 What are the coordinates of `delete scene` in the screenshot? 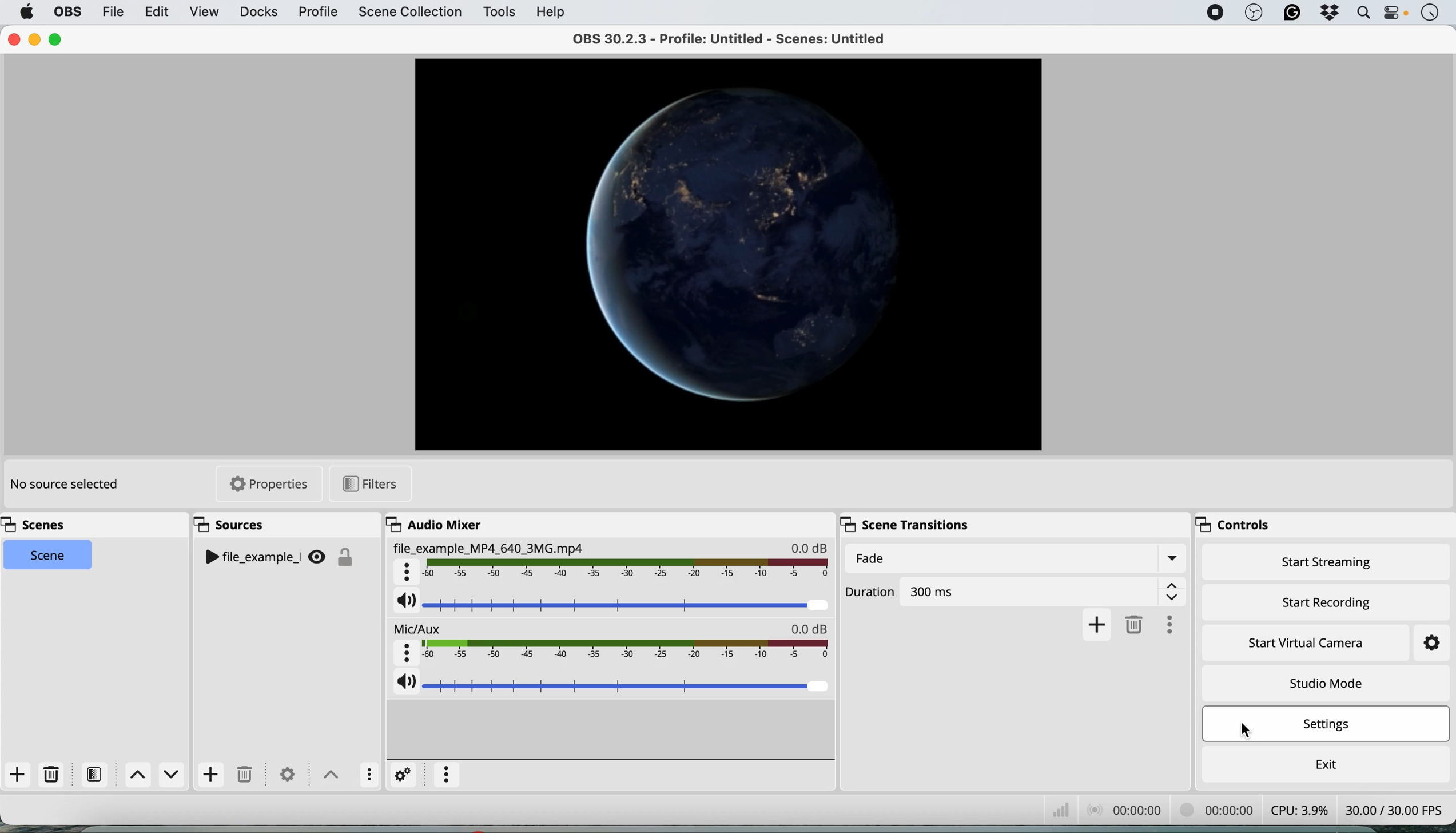 It's located at (52, 775).